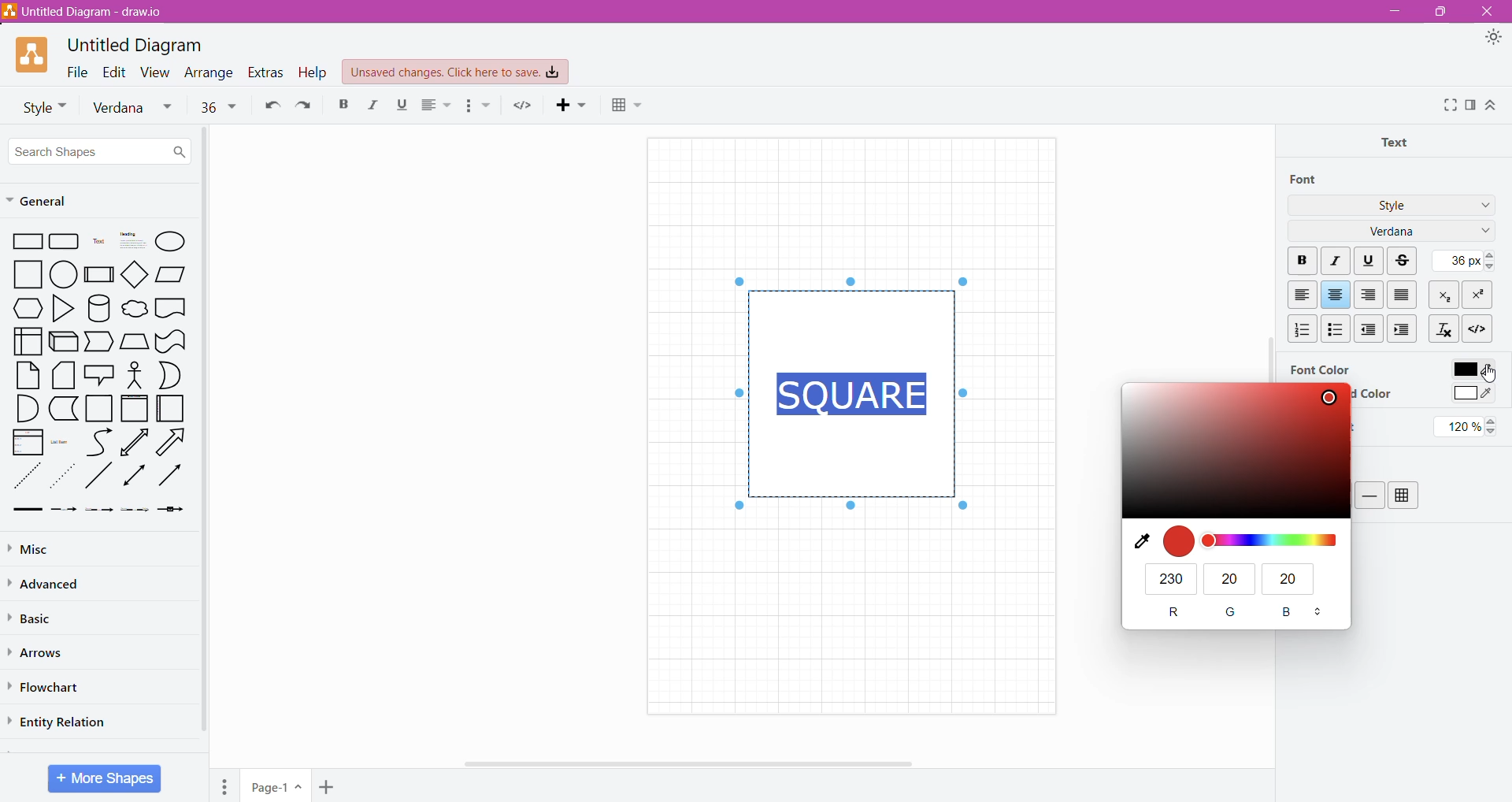 The width and height of the screenshot is (1512, 802). What do you see at coordinates (1302, 295) in the screenshot?
I see `Left` at bounding box center [1302, 295].